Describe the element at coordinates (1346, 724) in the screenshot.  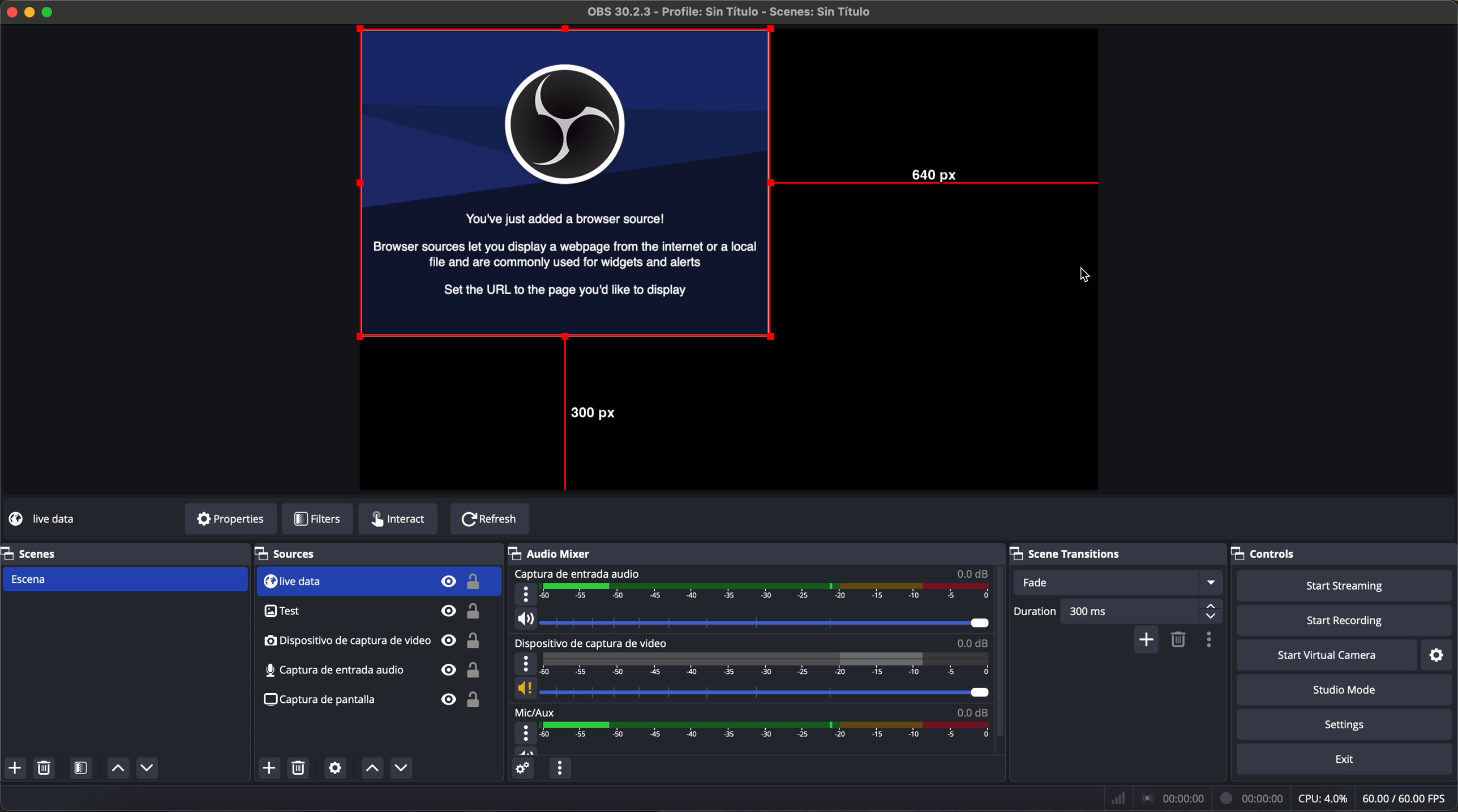
I see `settings` at that location.